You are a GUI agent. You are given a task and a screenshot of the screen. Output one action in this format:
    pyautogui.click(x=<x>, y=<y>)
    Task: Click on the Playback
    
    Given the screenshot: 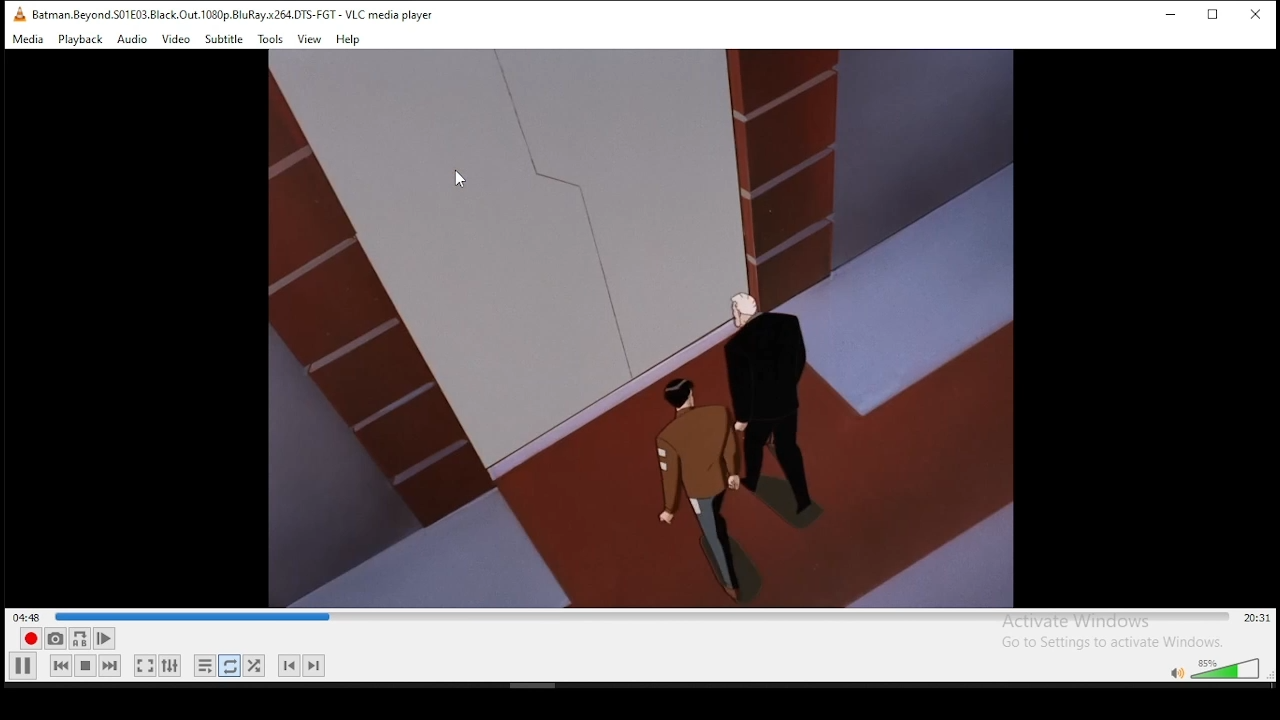 What is the action you would take?
    pyautogui.click(x=81, y=40)
    